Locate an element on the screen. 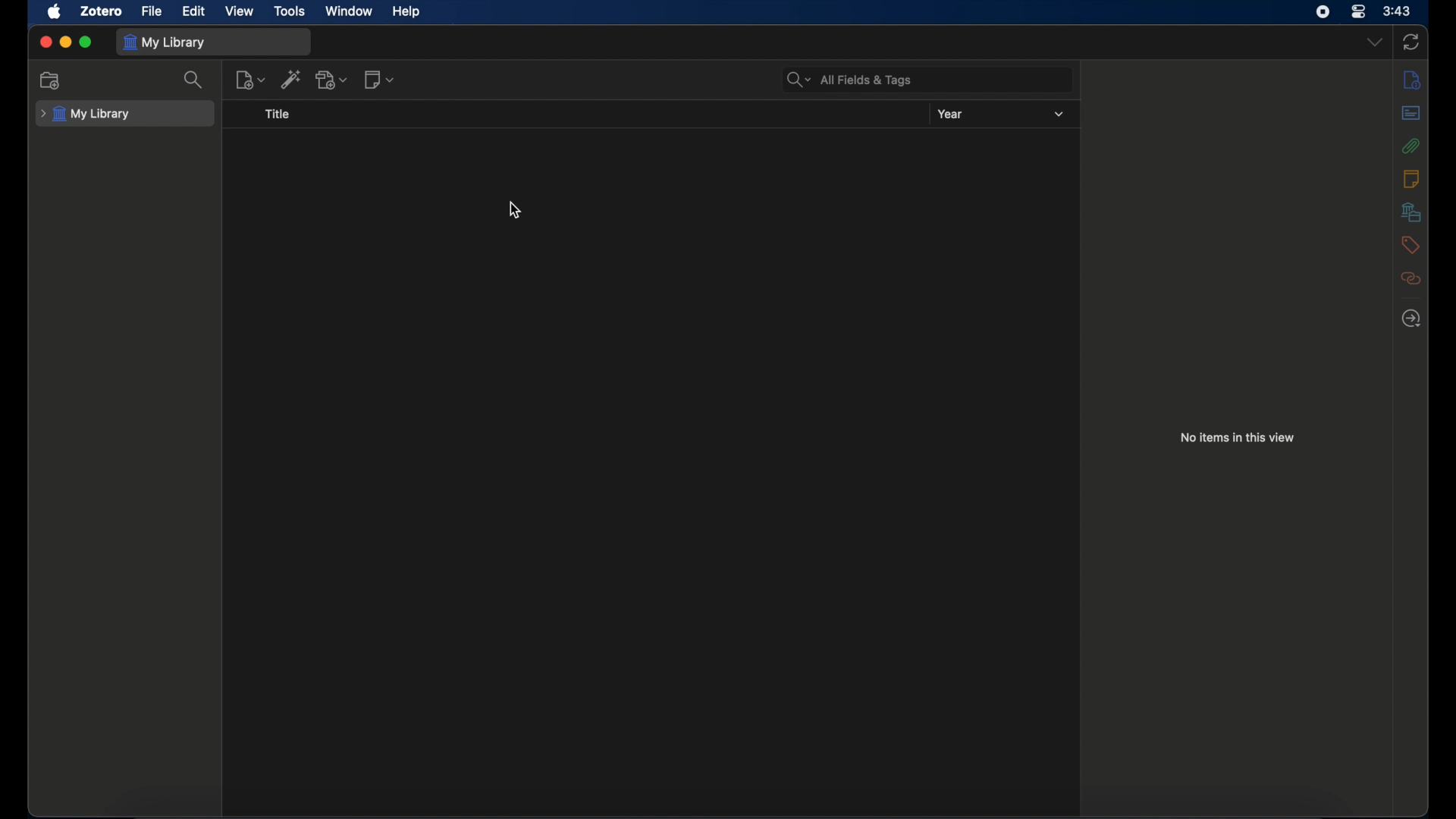  new item is located at coordinates (250, 79).